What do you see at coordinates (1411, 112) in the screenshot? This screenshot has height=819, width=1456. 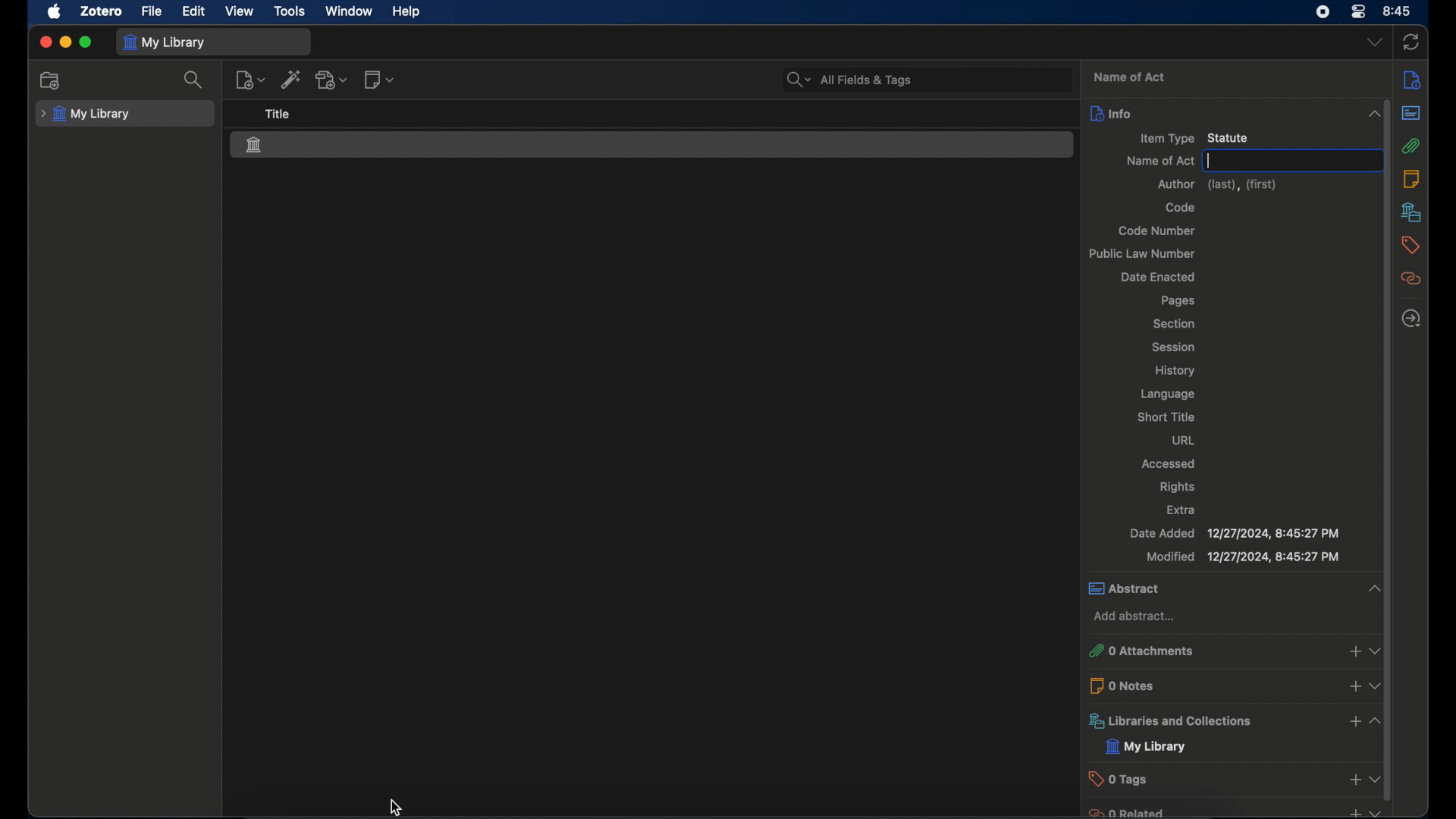 I see `abstract` at bounding box center [1411, 112].